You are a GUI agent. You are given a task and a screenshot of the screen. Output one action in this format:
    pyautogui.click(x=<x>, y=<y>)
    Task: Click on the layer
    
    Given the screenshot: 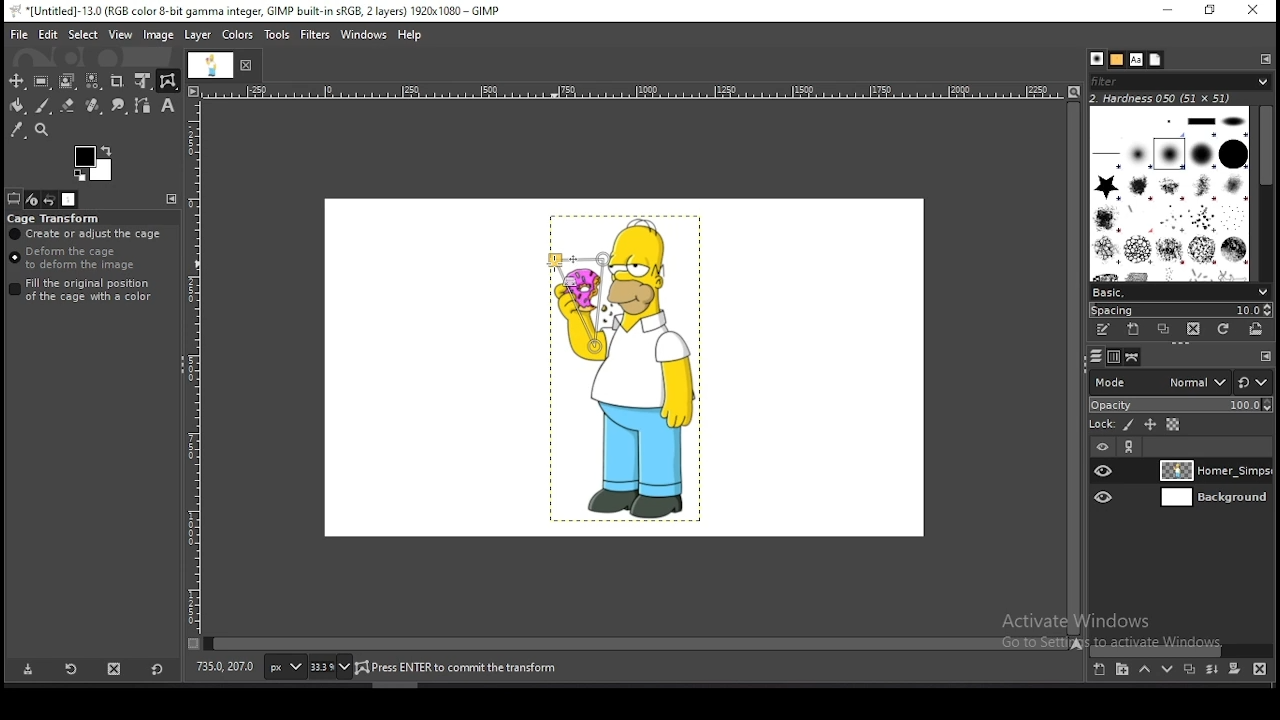 What is the action you would take?
    pyautogui.click(x=199, y=36)
    